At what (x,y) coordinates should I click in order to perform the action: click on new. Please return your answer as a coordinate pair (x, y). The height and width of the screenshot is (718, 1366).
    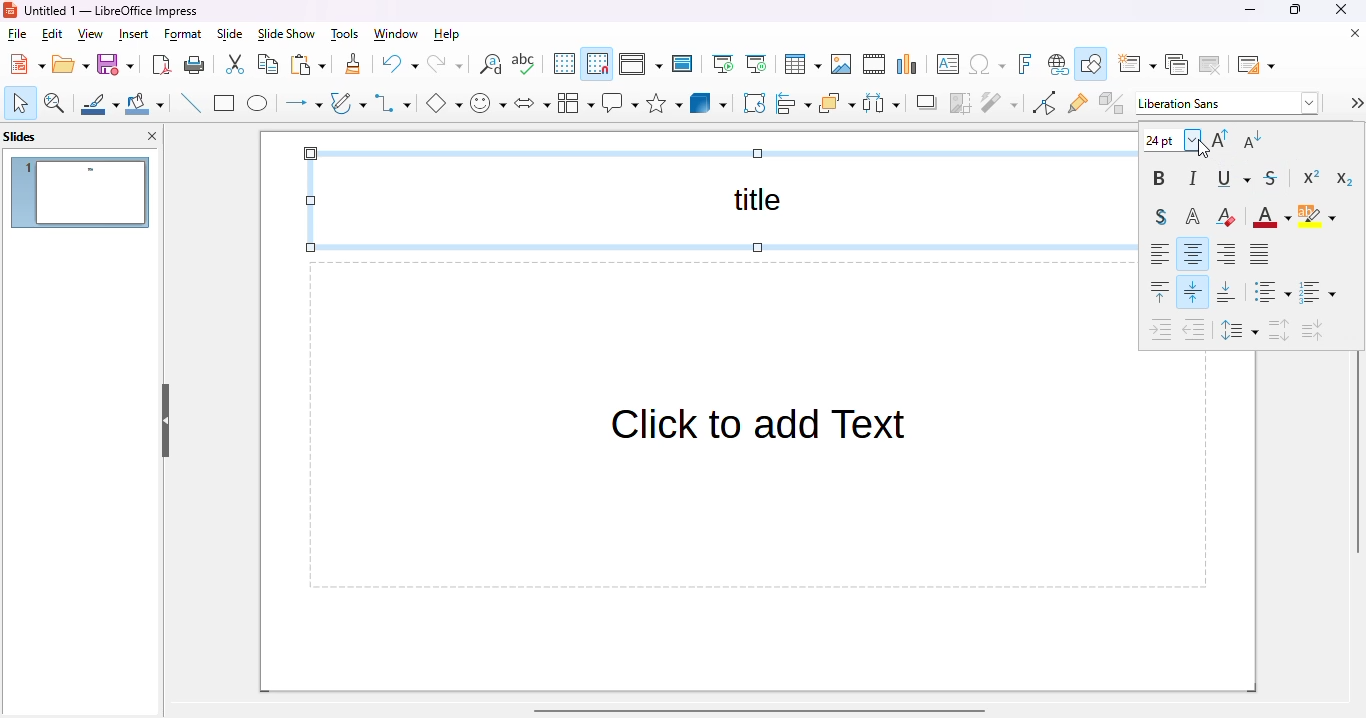
    Looking at the image, I should click on (27, 64).